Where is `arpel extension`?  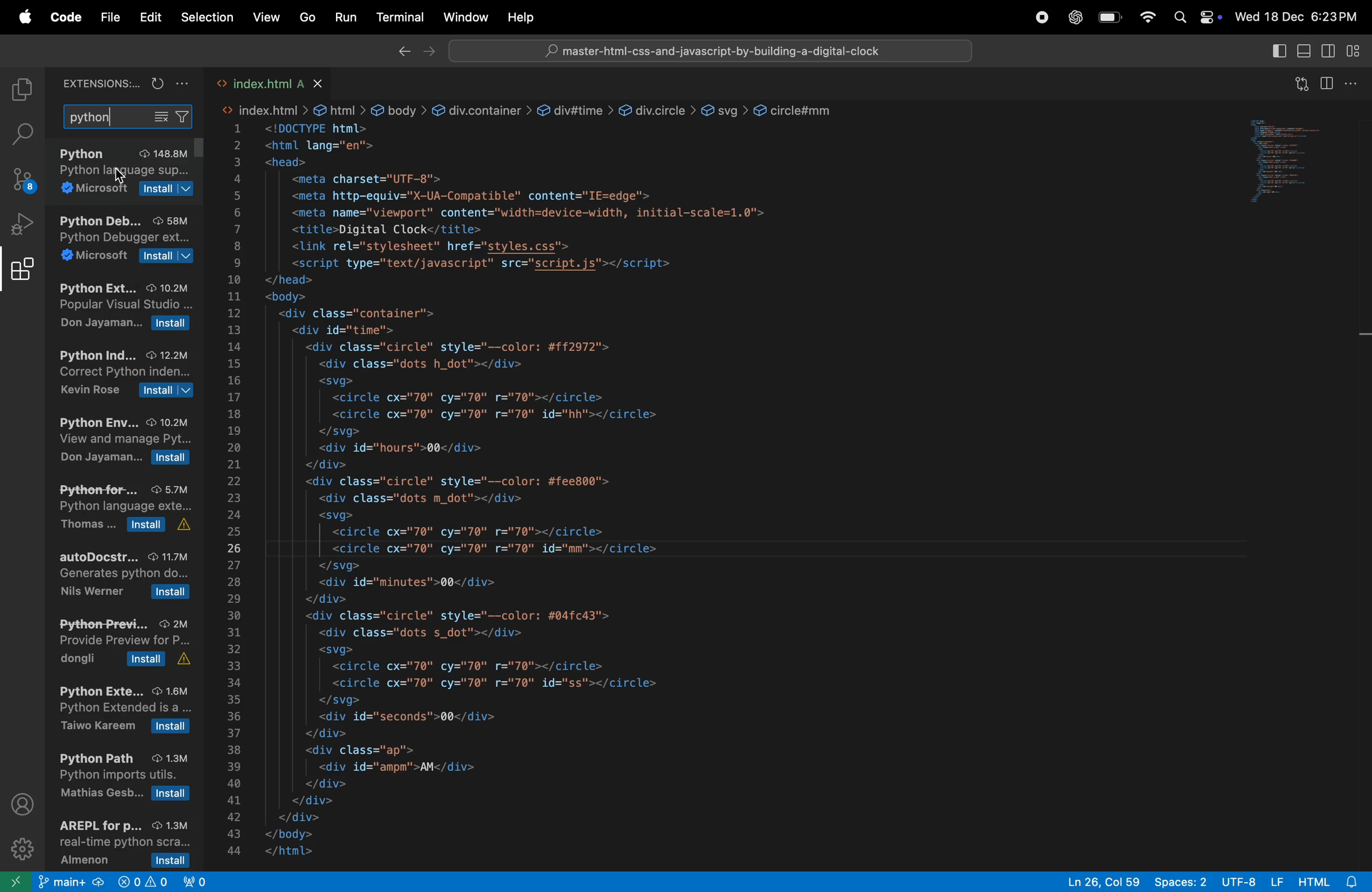
arpel extension is located at coordinates (119, 842).